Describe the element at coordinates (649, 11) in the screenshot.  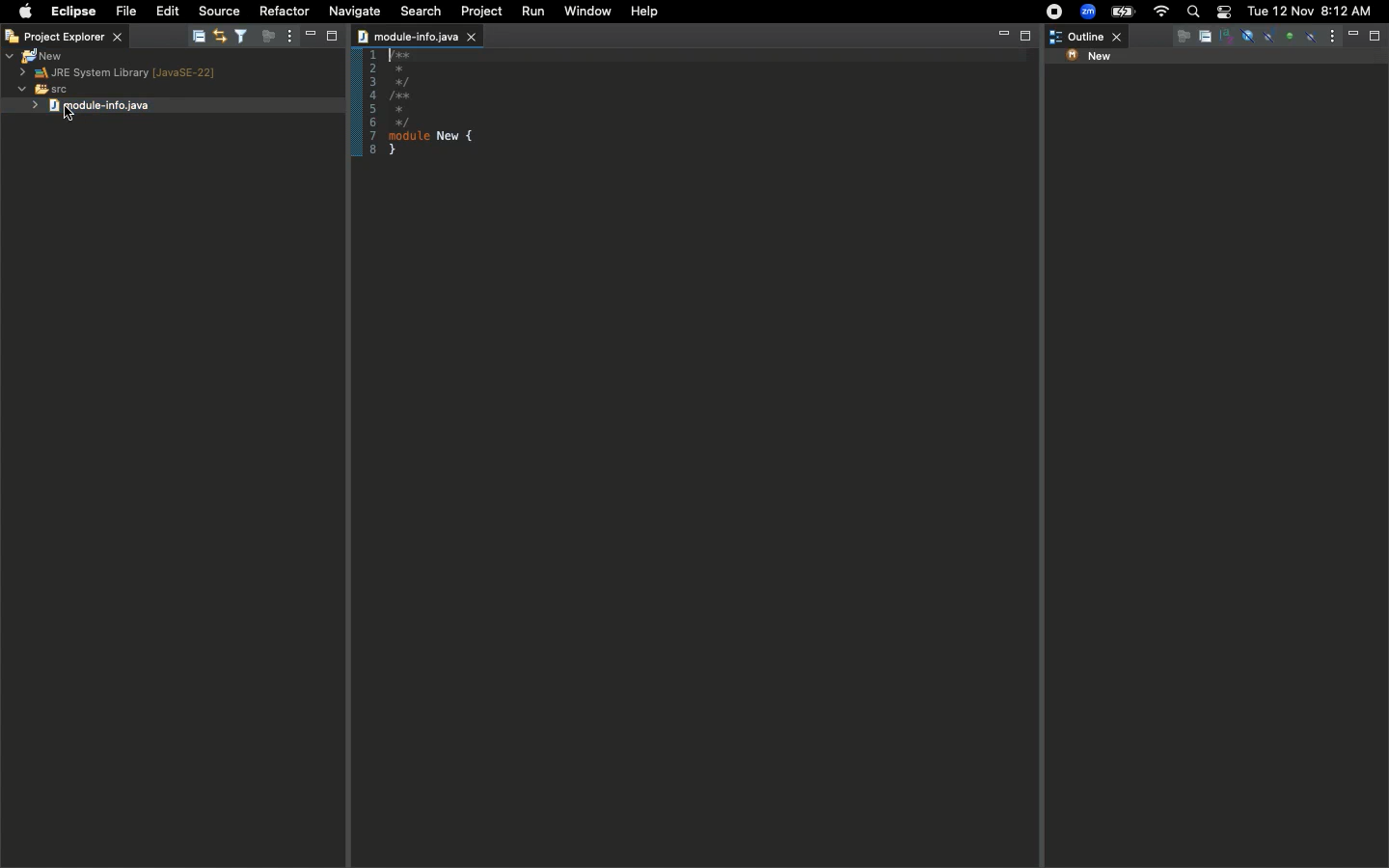
I see `Help` at that location.